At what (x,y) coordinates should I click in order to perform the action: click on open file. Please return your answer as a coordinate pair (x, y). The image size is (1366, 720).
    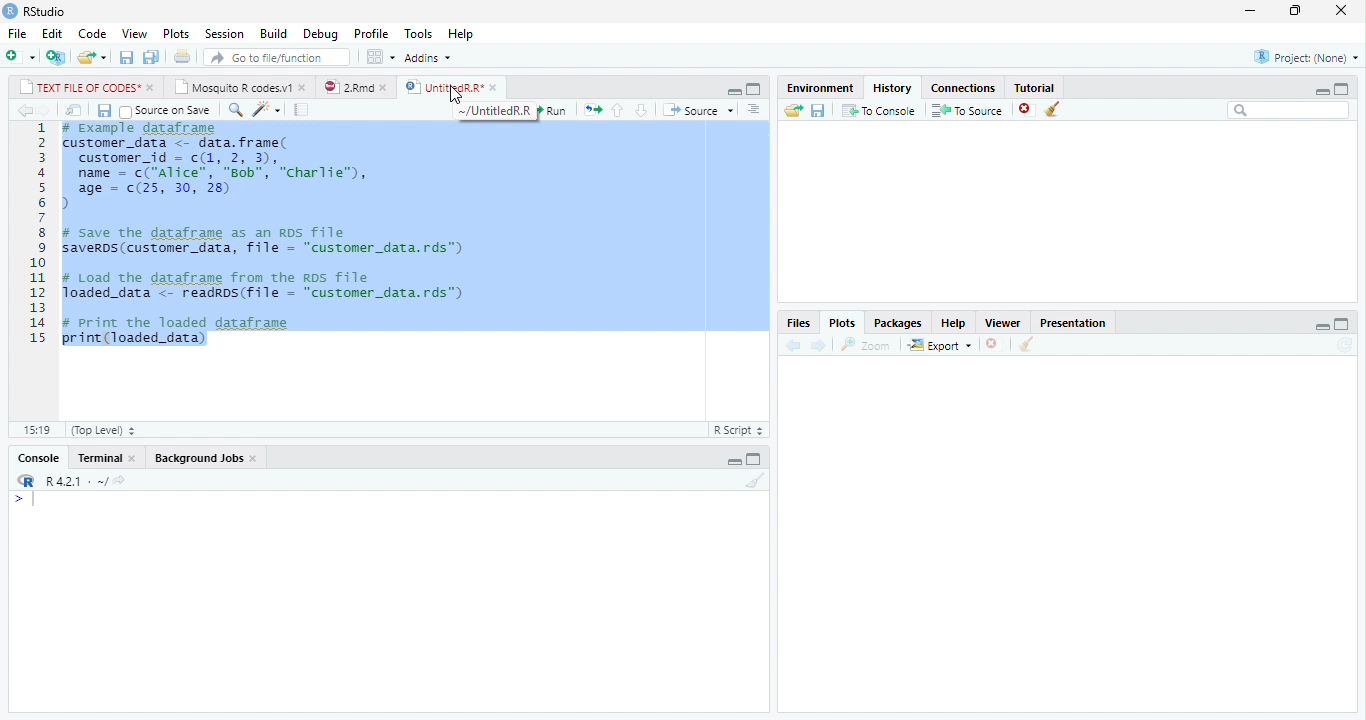
    Looking at the image, I should click on (92, 57).